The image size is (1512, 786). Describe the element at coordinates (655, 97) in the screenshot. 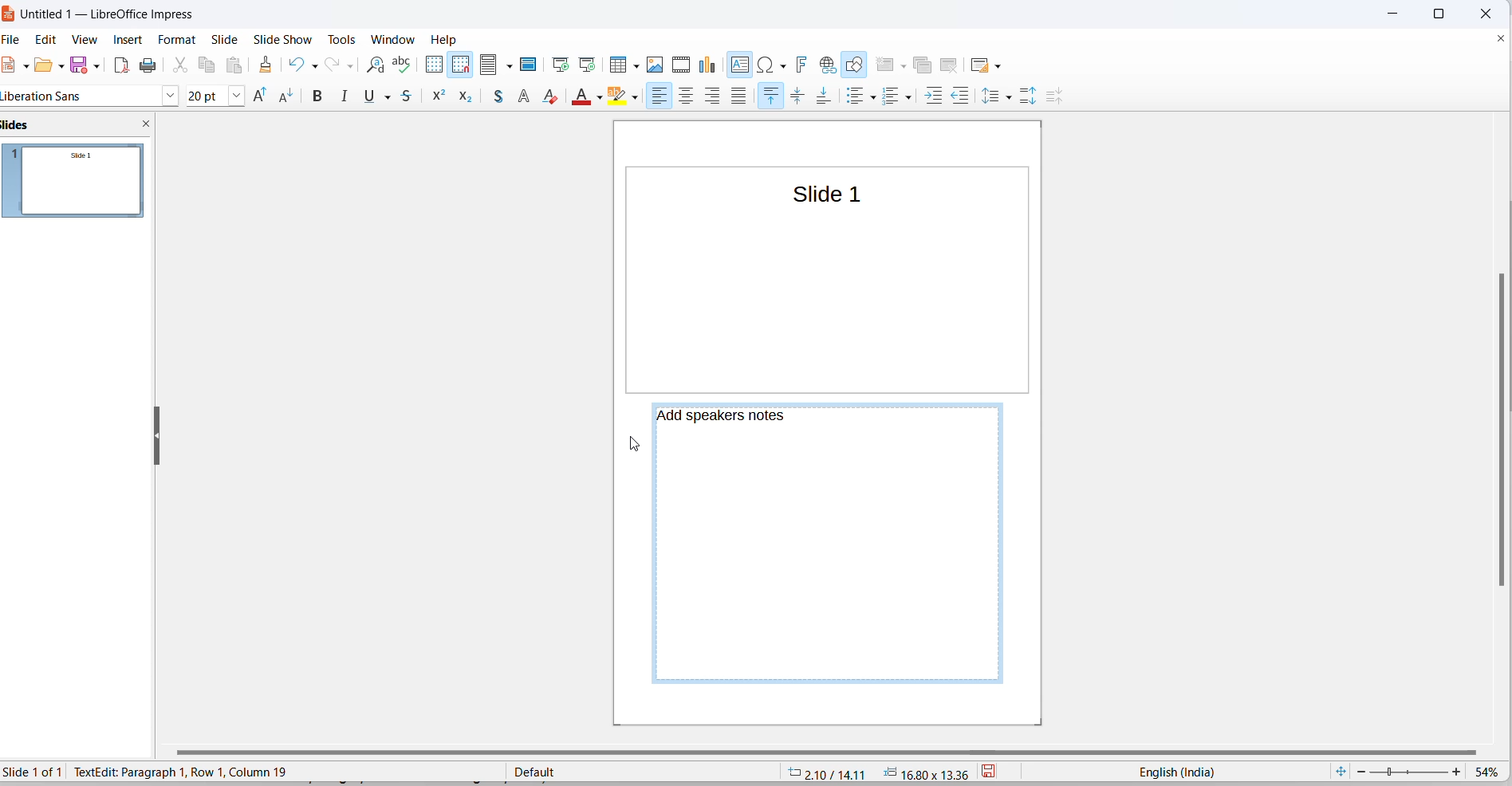

I see `arrange ` at that location.